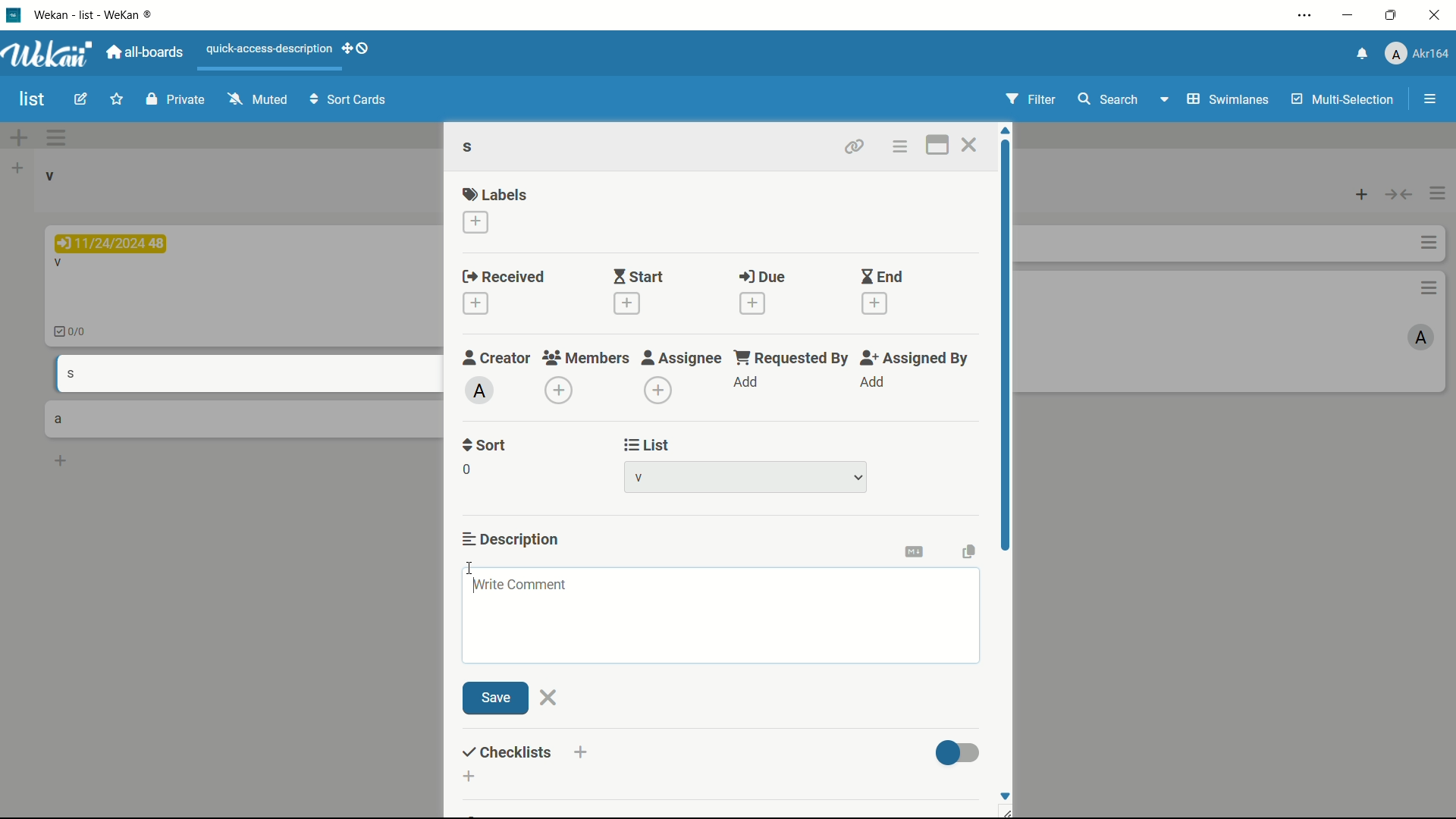  Describe the element at coordinates (793, 359) in the screenshot. I see `requested by` at that location.